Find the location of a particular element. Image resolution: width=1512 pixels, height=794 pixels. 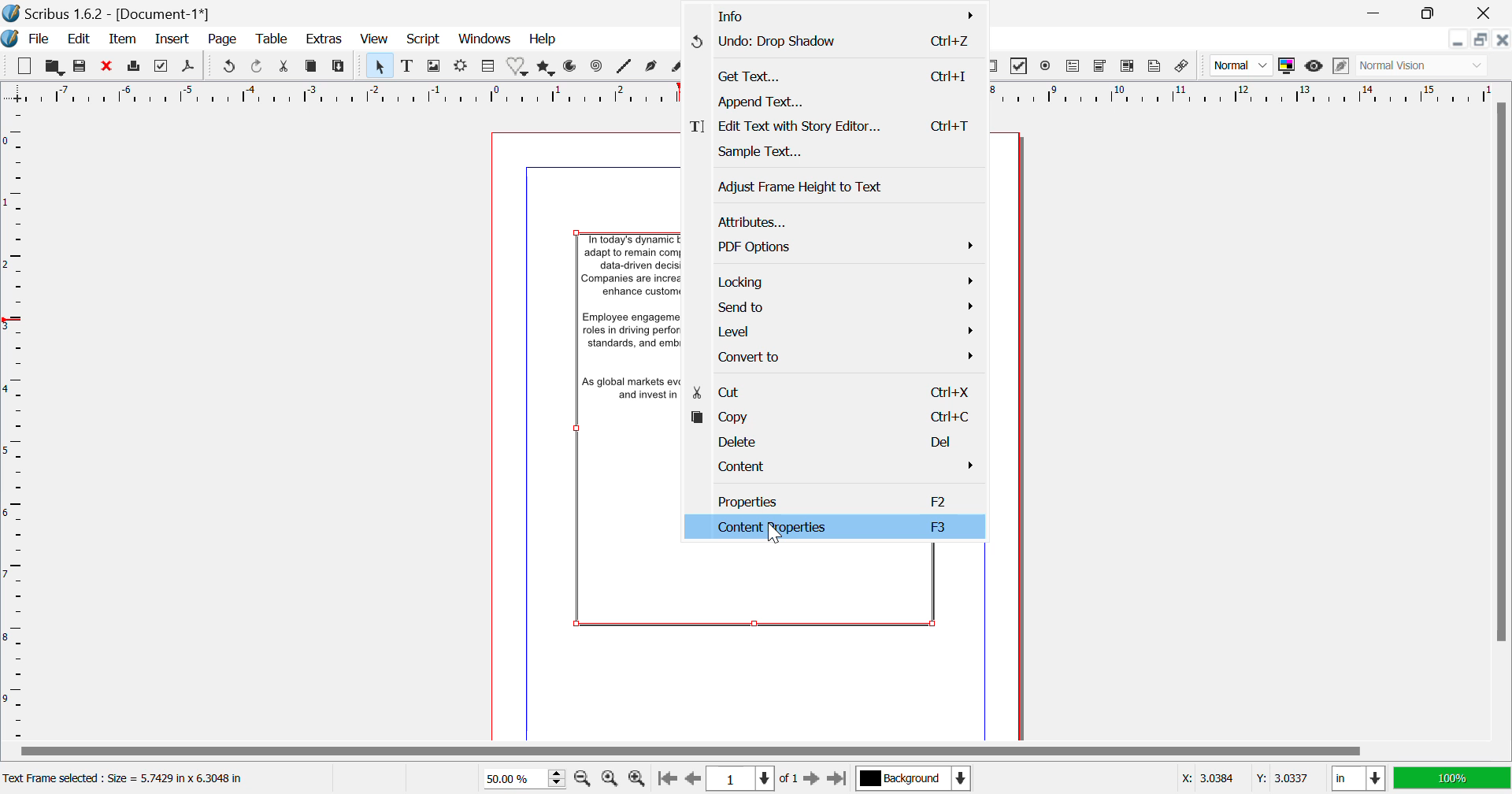

New is located at coordinates (24, 63).